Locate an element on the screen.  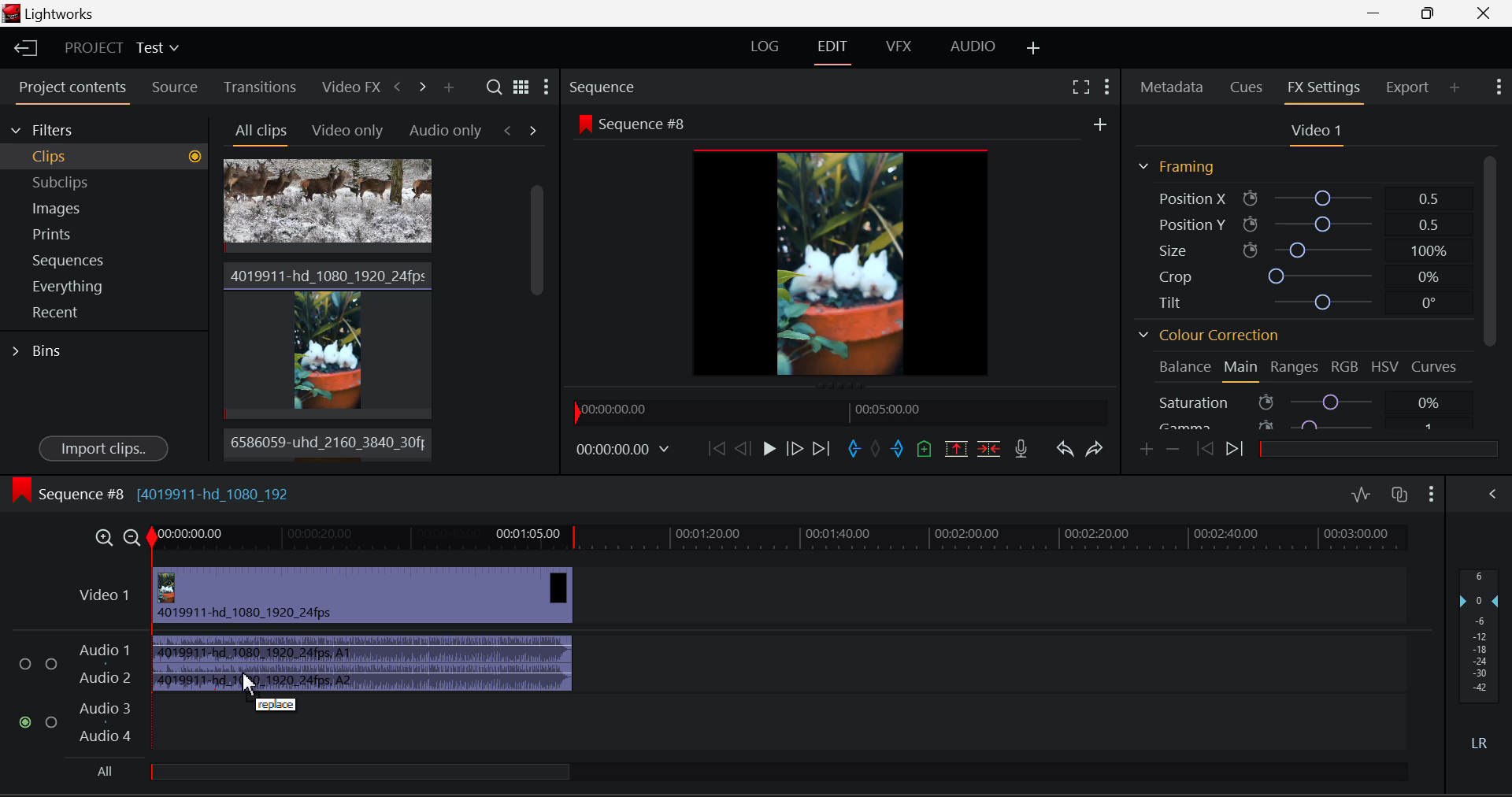
Gamma is located at coordinates (1310, 424).